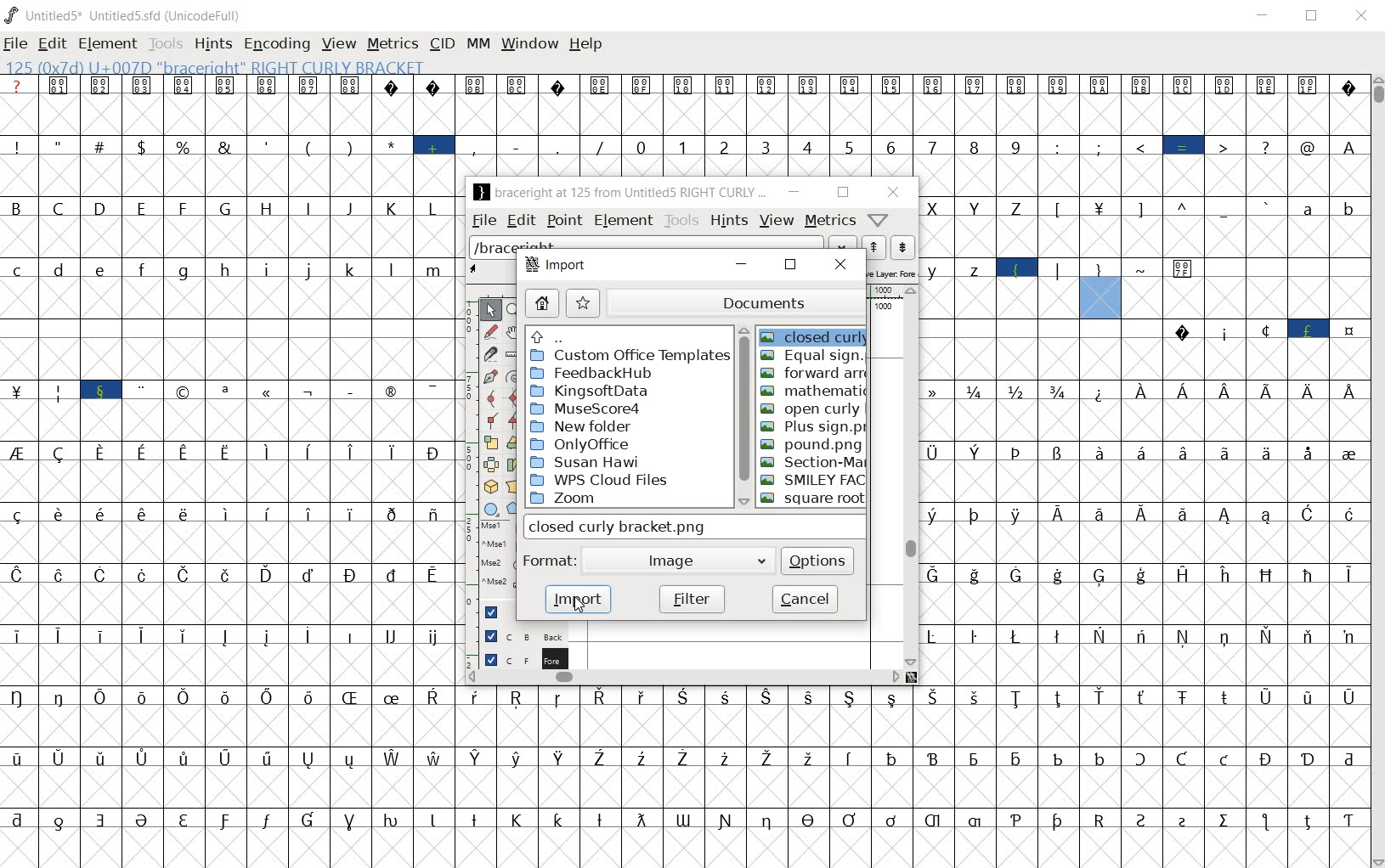 This screenshot has height=868, width=1385. What do you see at coordinates (16, 45) in the screenshot?
I see `FILE` at bounding box center [16, 45].